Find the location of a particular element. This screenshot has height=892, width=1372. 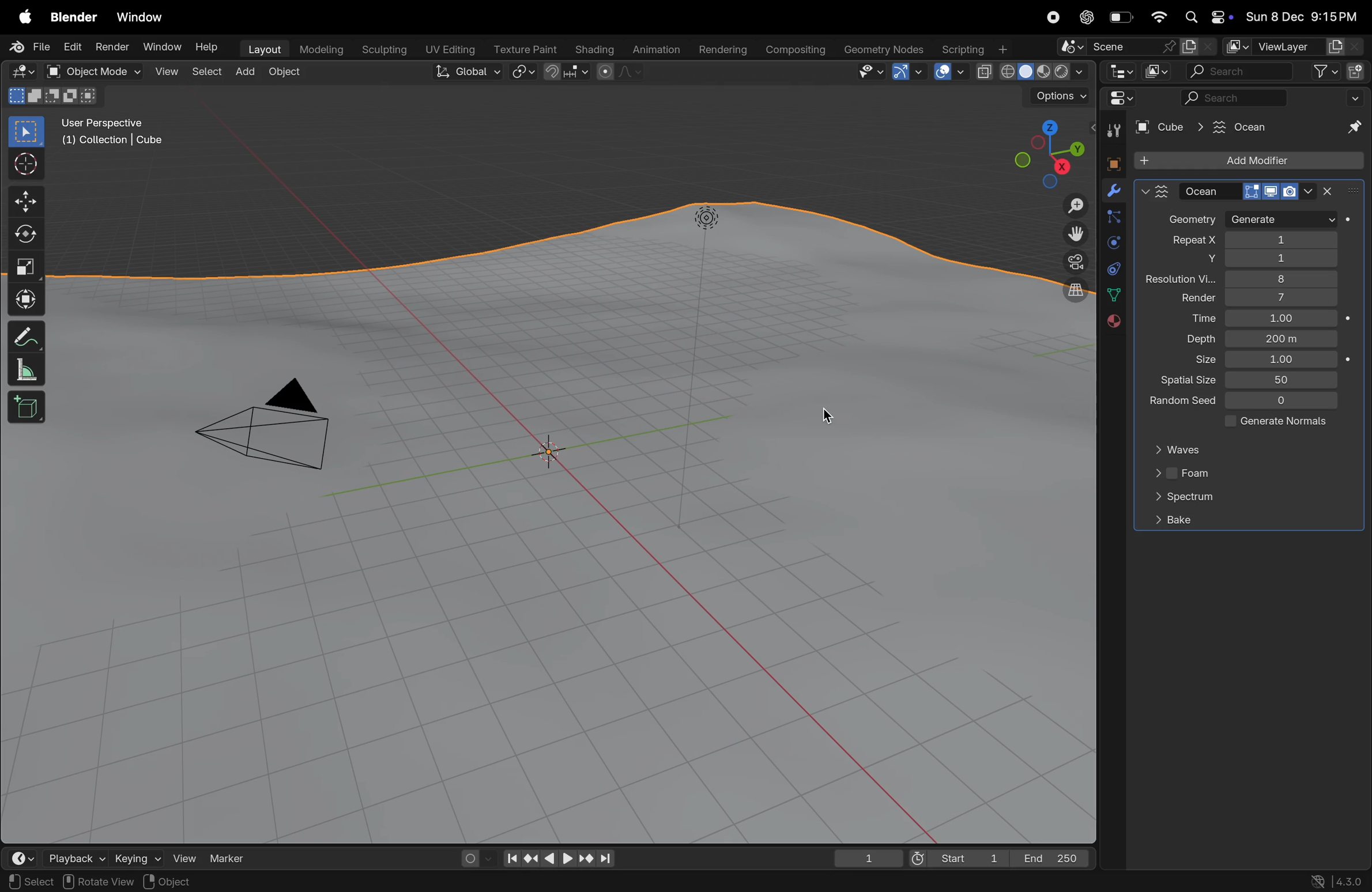

display mode is located at coordinates (1156, 71).